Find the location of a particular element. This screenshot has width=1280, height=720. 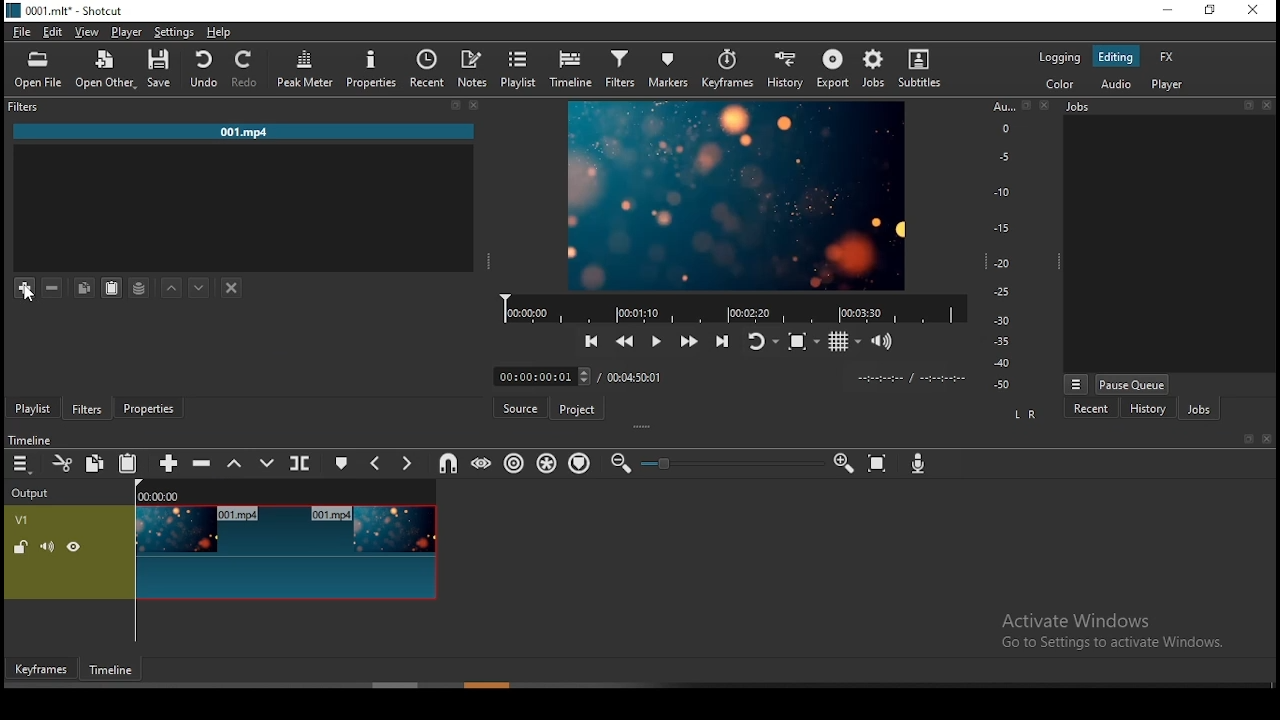

skip to next point is located at coordinates (723, 334).